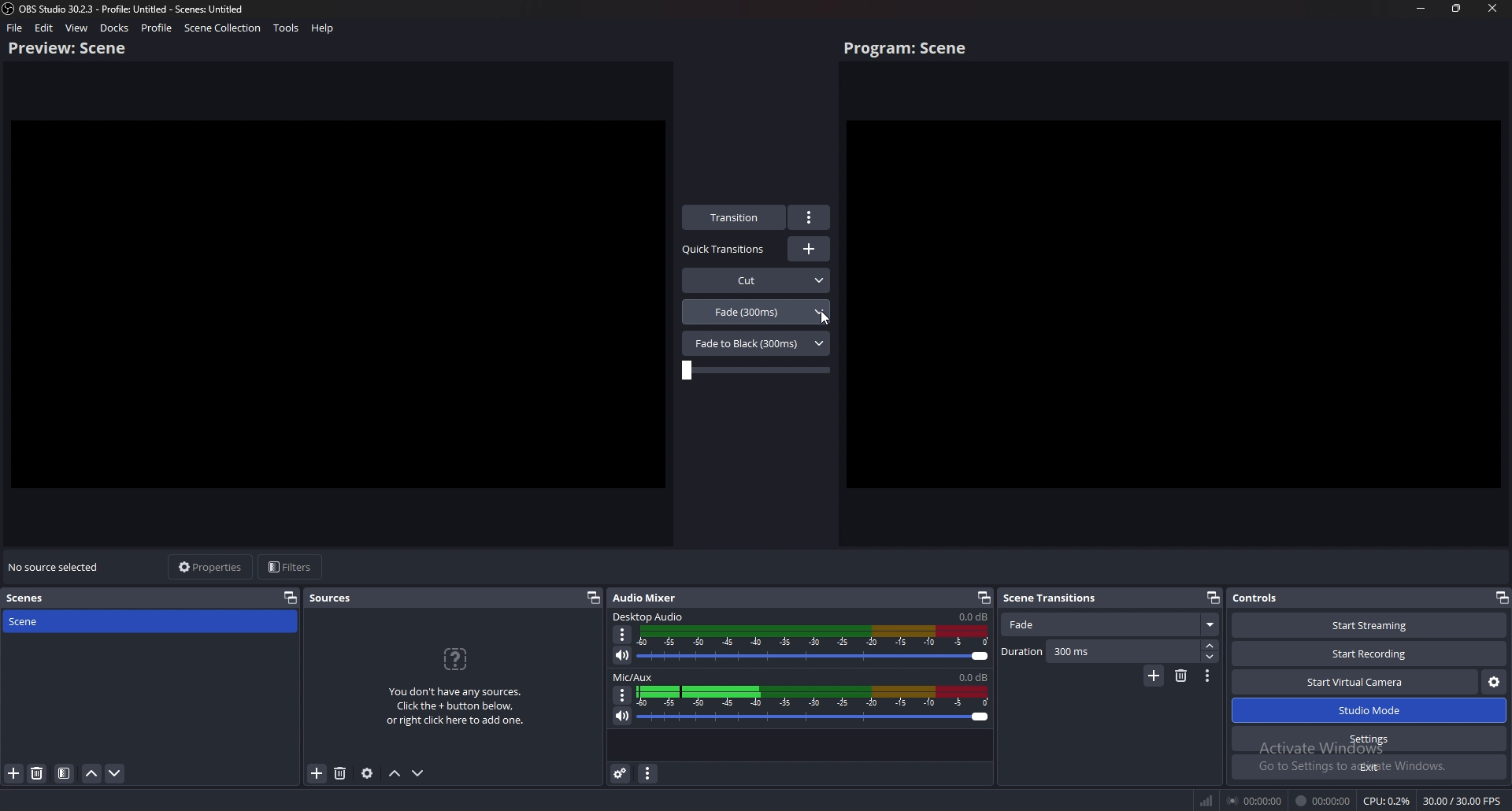  Describe the element at coordinates (1492, 8) in the screenshot. I see `close` at that location.